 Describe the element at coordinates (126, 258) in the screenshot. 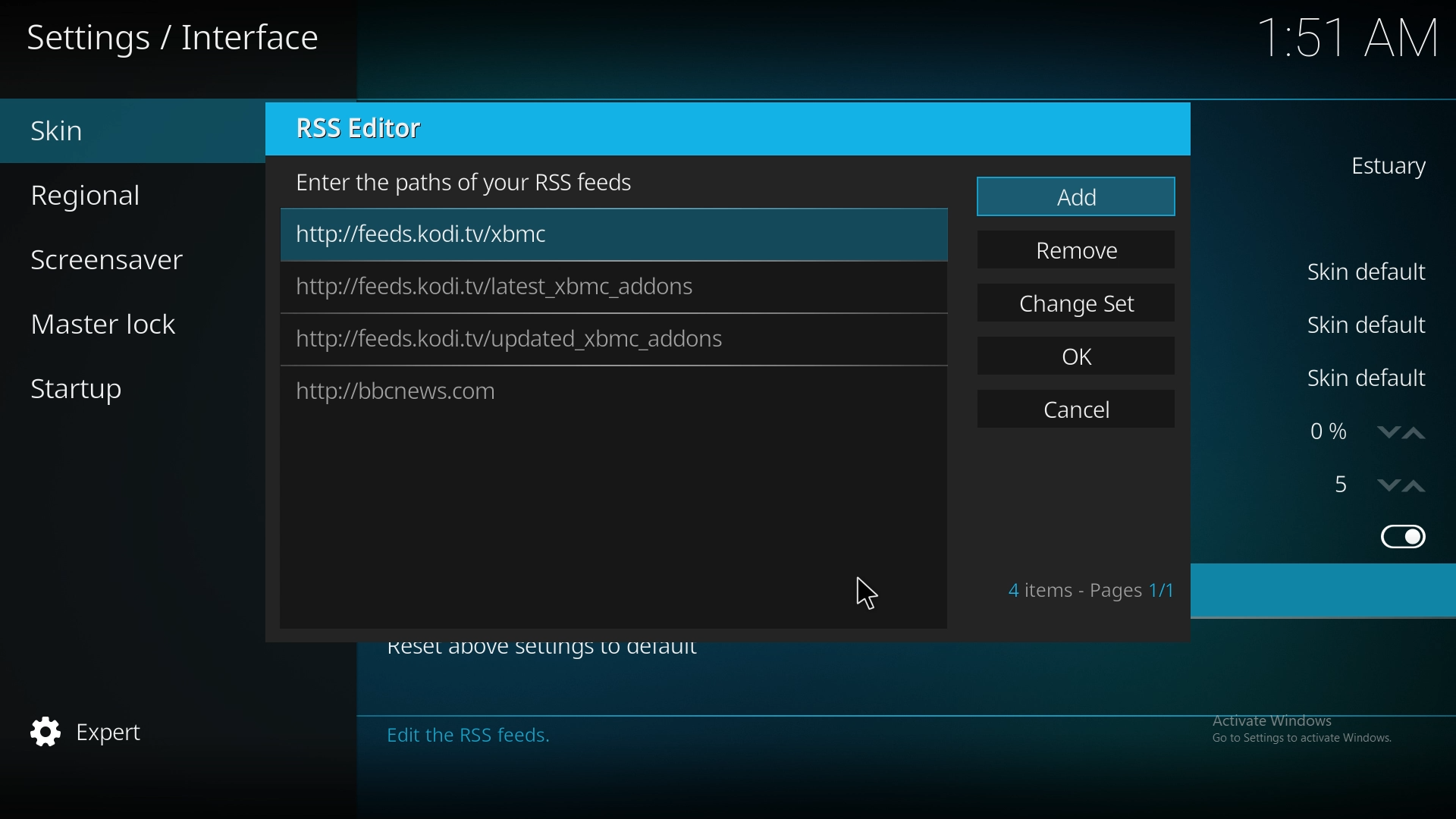

I see `screensaver` at that location.